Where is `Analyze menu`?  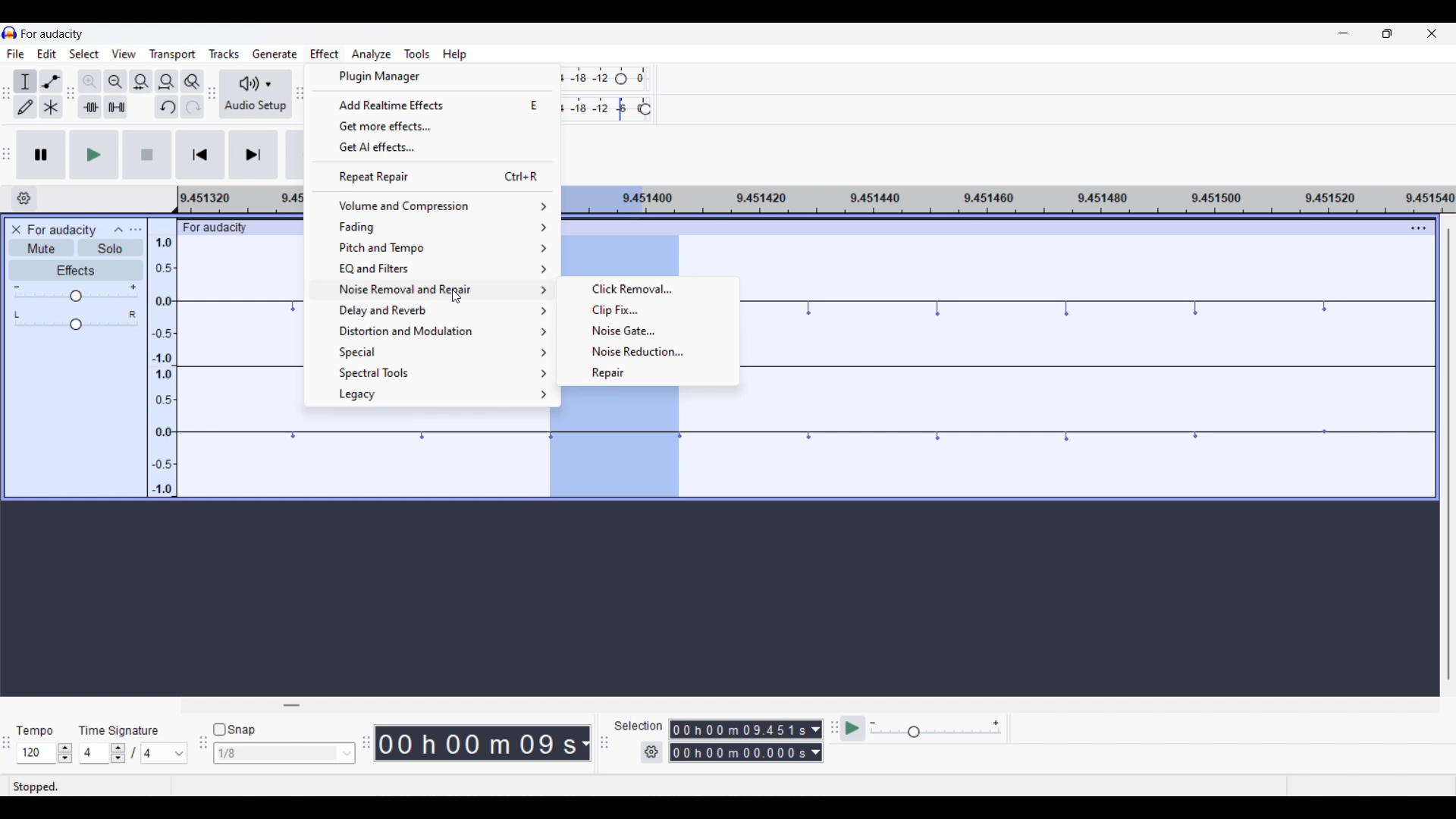 Analyze menu is located at coordinates (373, 55).